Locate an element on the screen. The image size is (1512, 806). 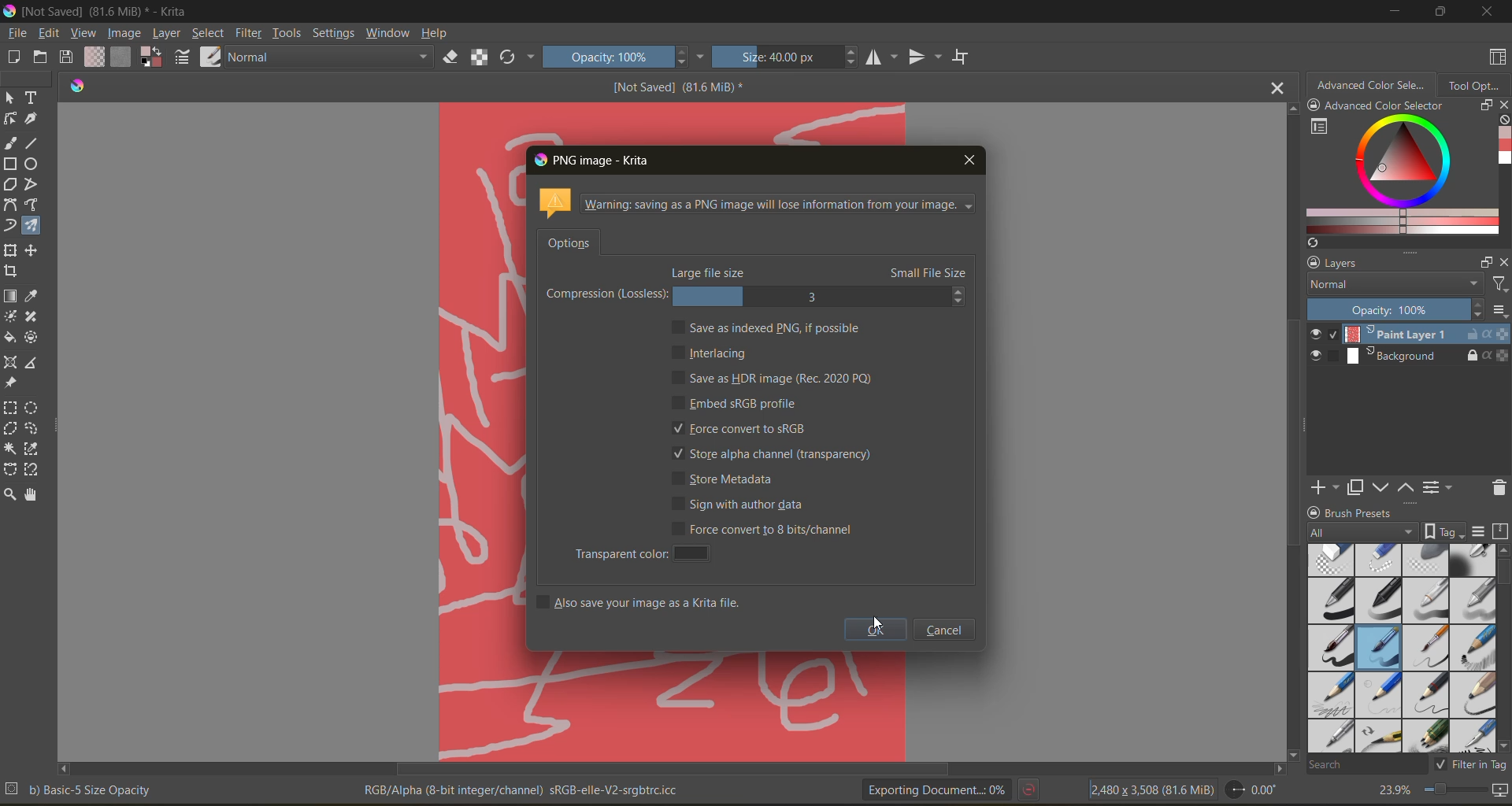
file name and app name is located at coordinates (100, 9).